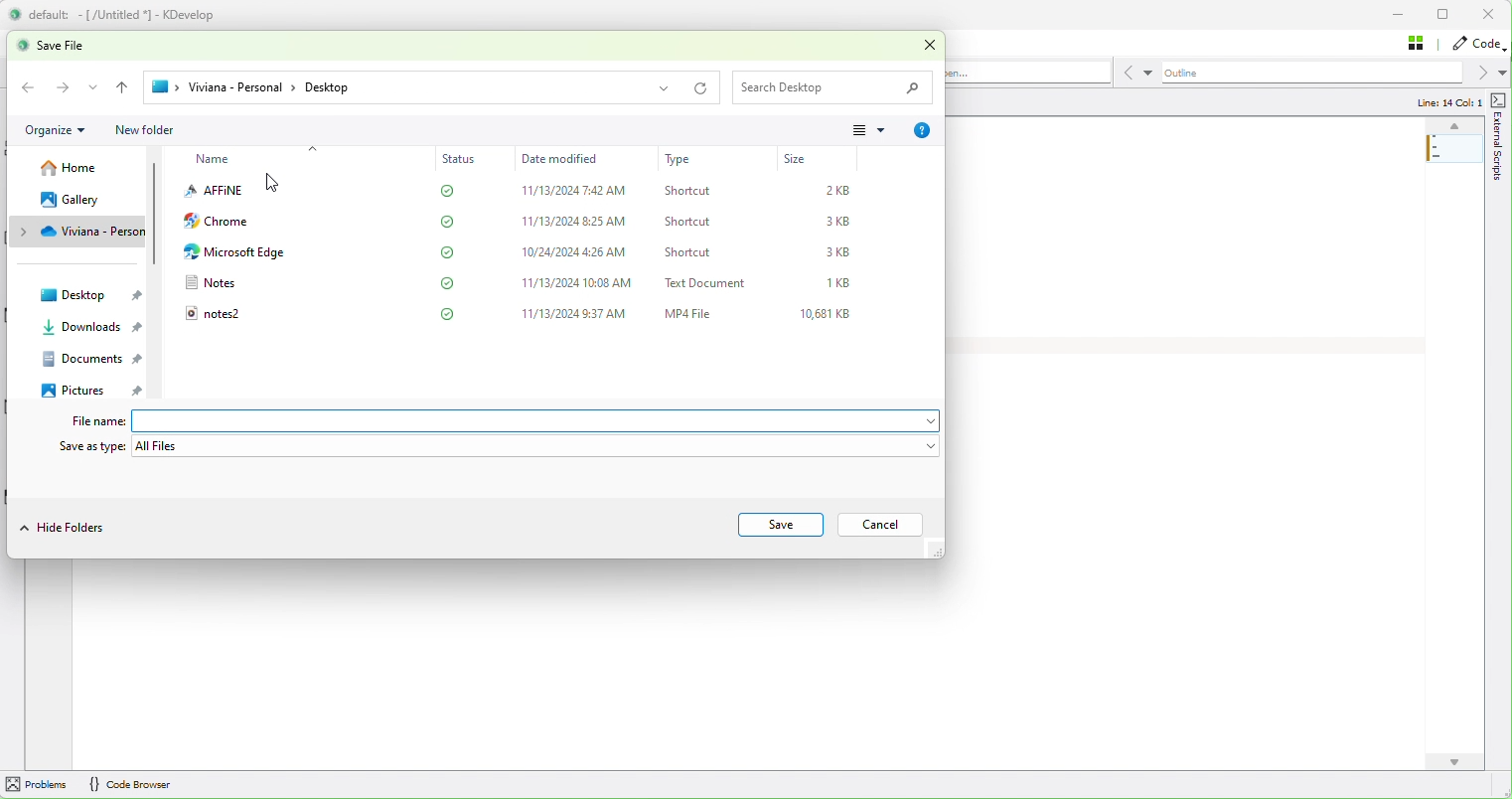 The width and height of the screenshot is (1512, 799). Describe the element at coordinates (841, 283) in the screenshot. I see `1KB` at that location.